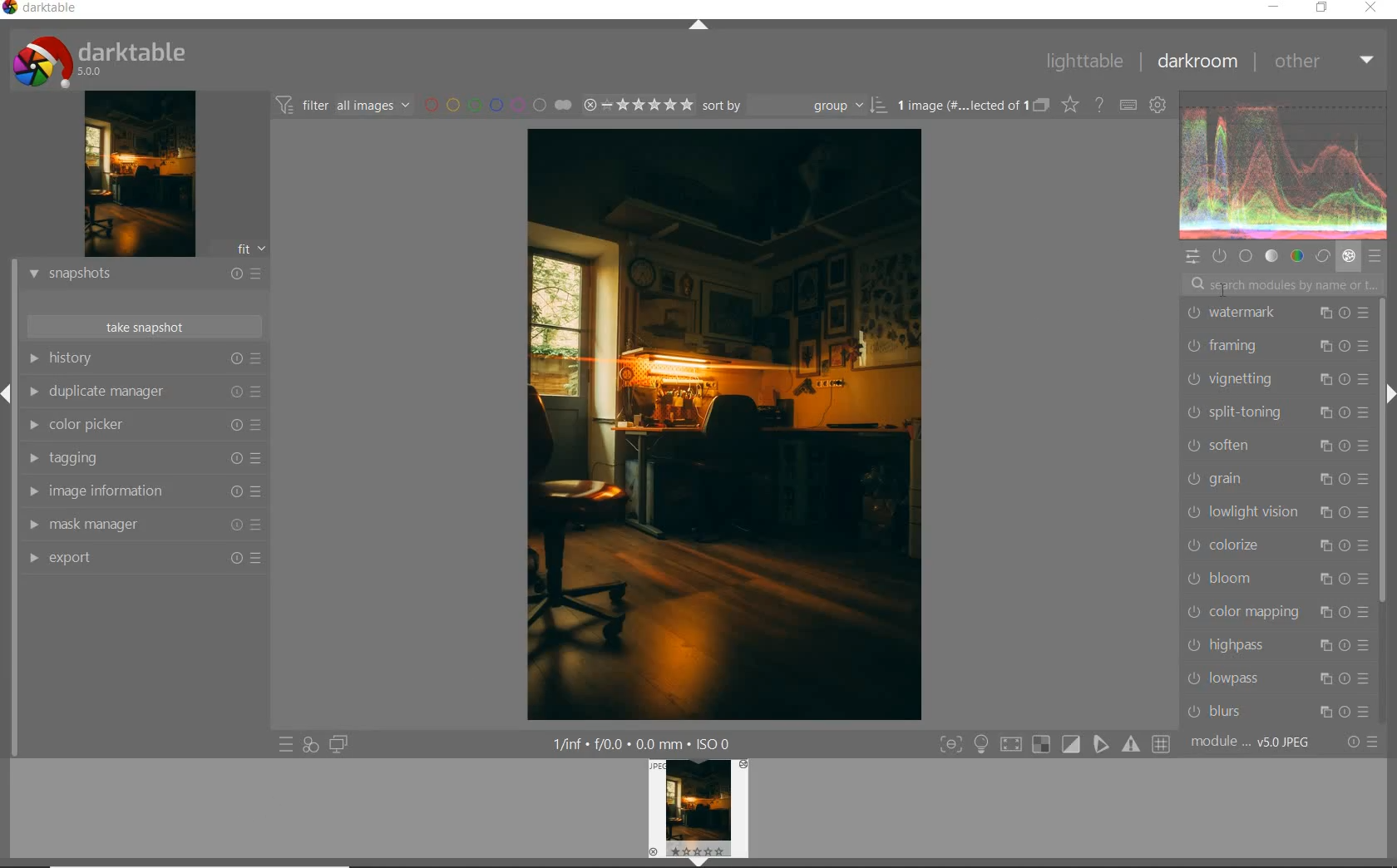  I want to click on darkroom, so click(1204, 62).